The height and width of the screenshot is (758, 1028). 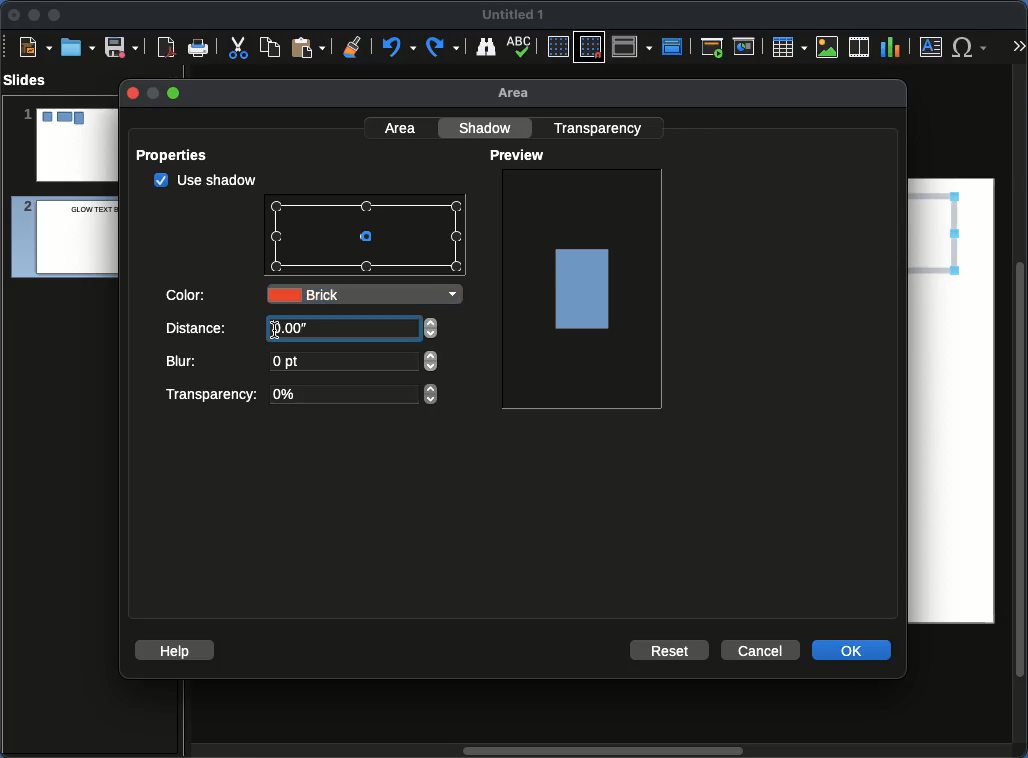 What do you see at coordinates (635, 45) in the screenshot?
I see `Display views` at bounding box center [635, 45].